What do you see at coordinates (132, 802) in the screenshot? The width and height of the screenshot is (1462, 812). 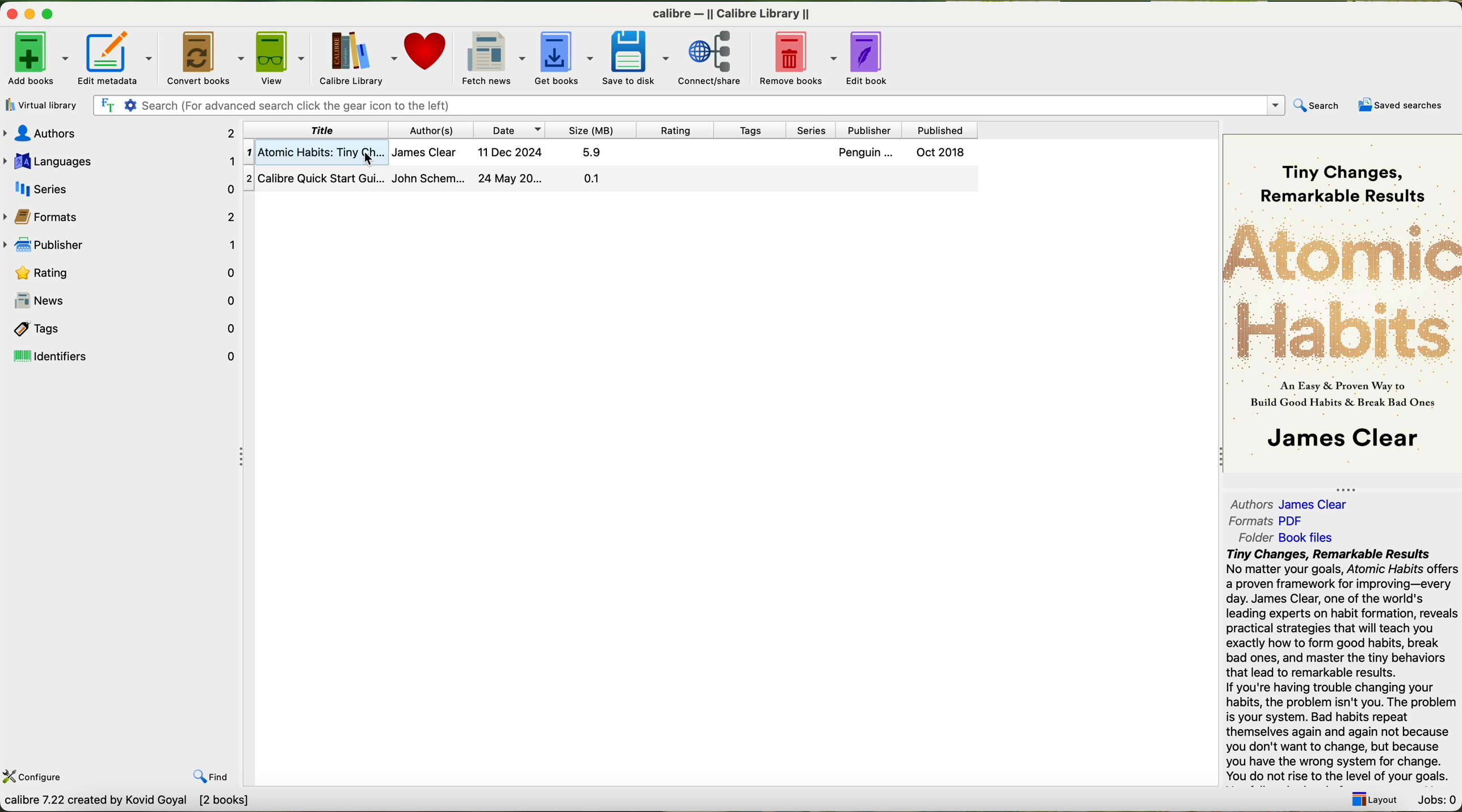 I see `data` at bounding box center [132, 802].